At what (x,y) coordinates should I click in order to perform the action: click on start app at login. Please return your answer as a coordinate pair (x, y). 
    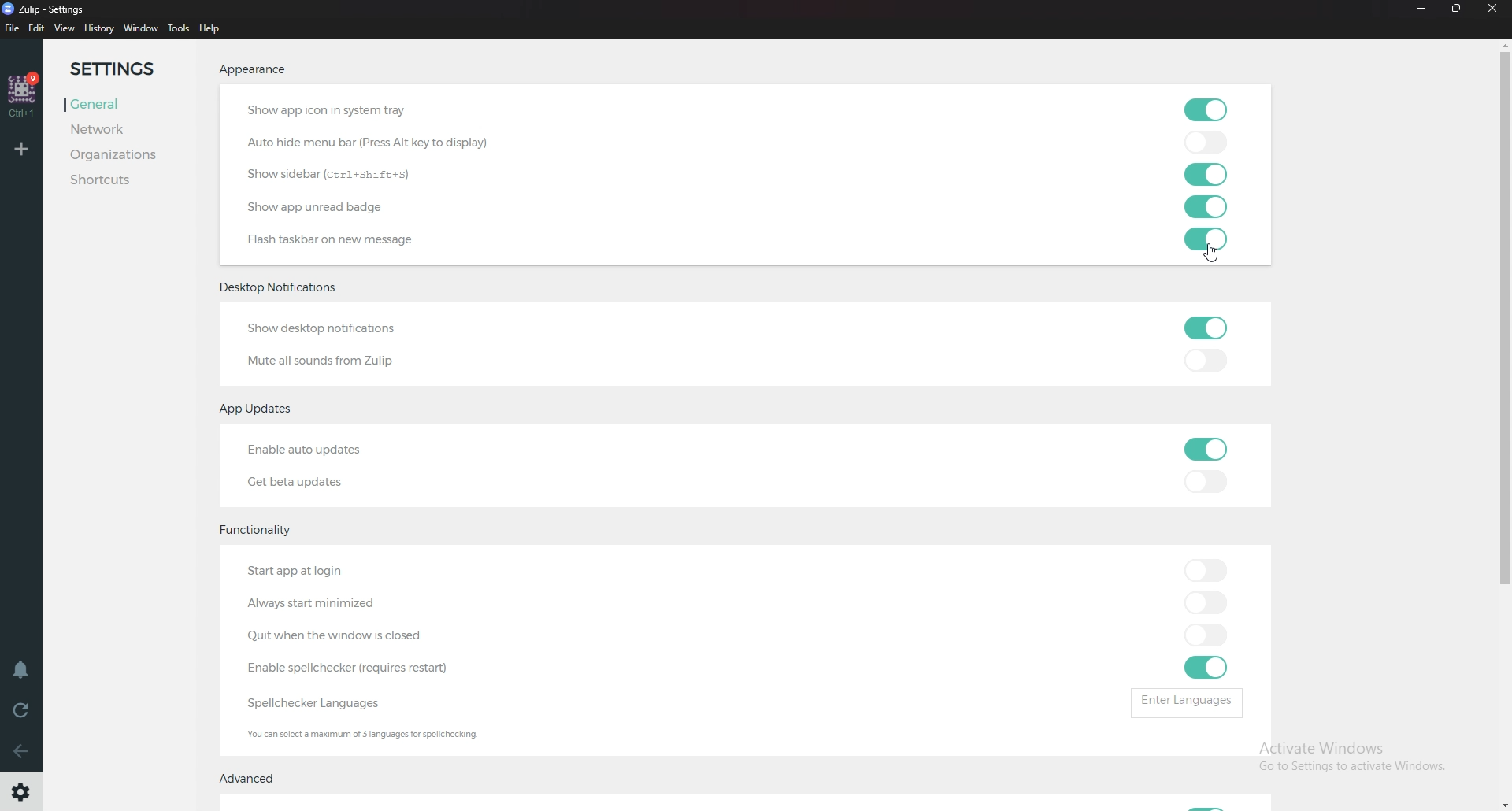
    Looking at the image, I should click on (332, 573).